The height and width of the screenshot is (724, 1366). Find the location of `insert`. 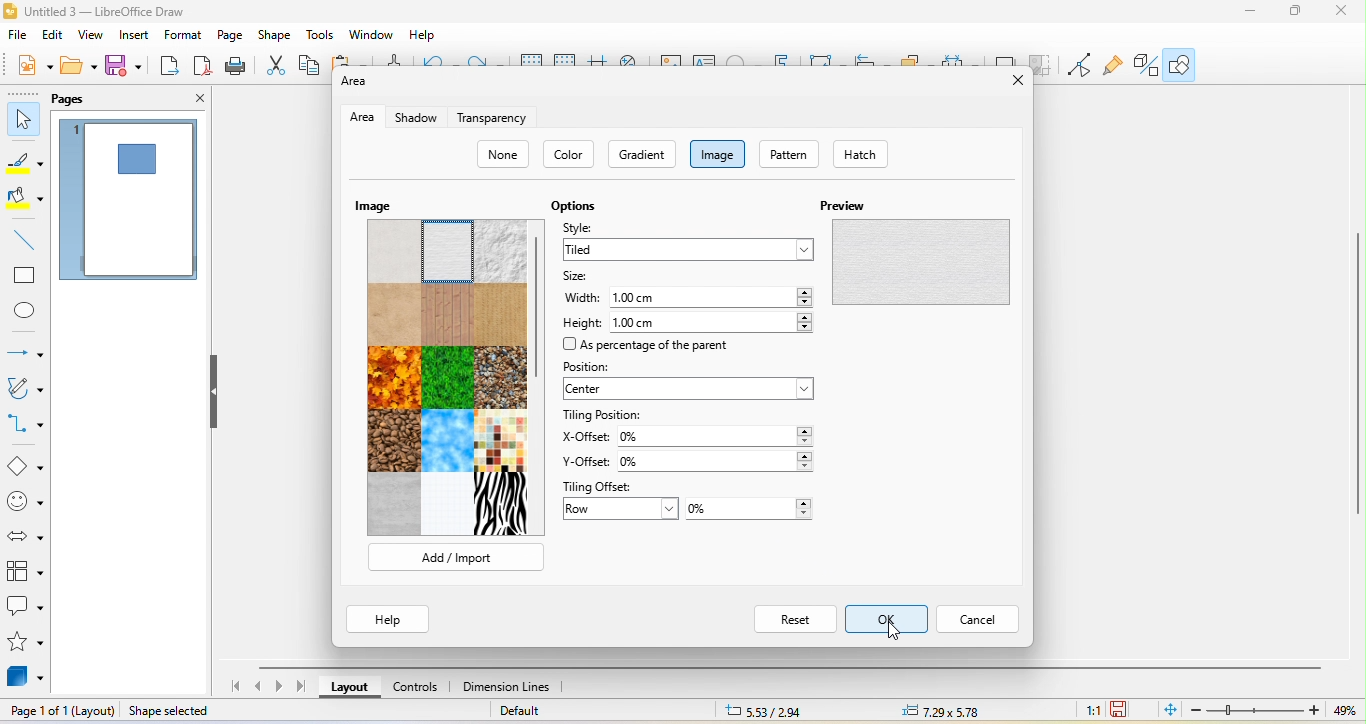

insert is located at coordinates (136, 37).